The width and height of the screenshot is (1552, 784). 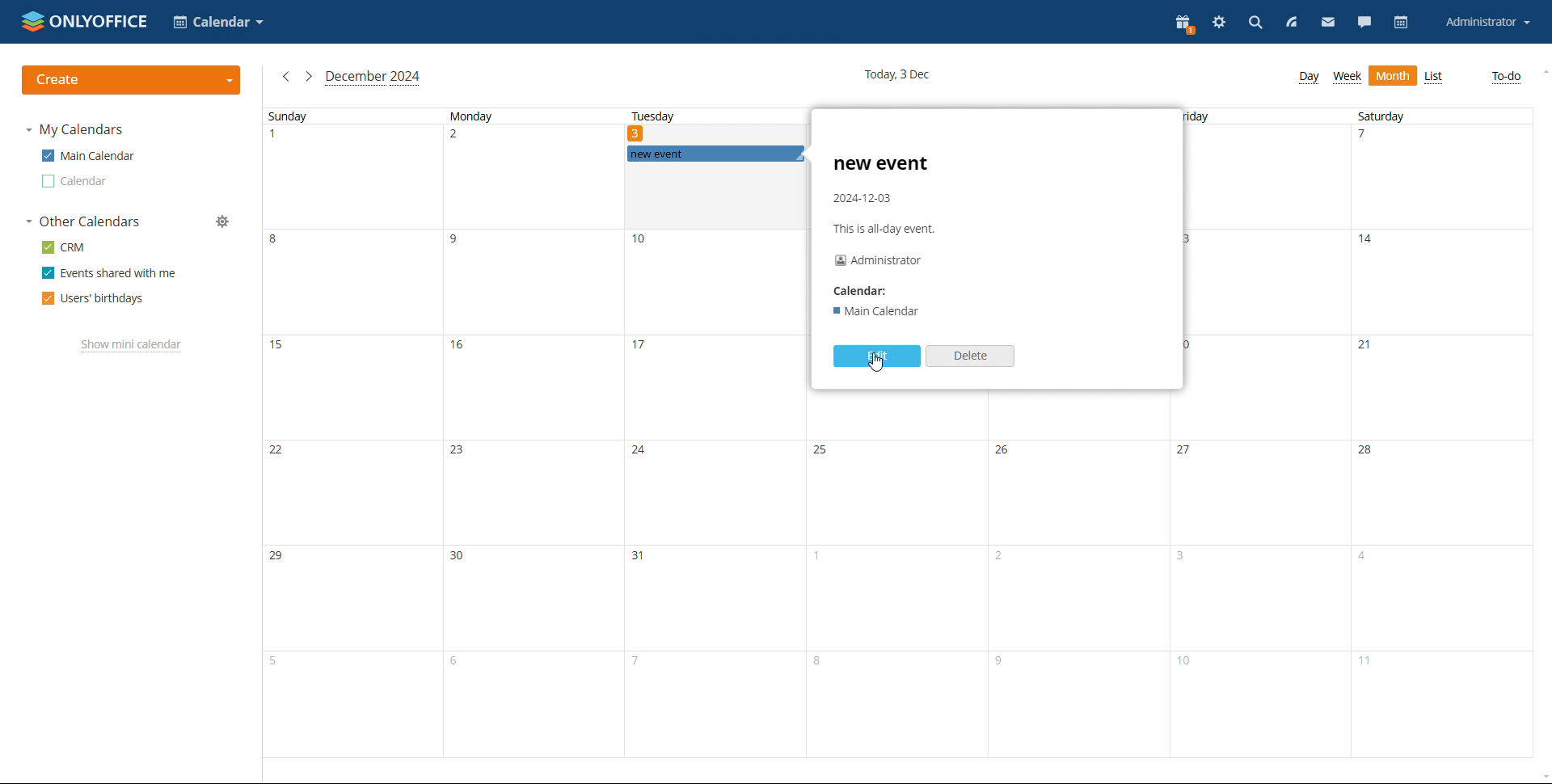 I want to click on main calender, so click(x=879, y=314).